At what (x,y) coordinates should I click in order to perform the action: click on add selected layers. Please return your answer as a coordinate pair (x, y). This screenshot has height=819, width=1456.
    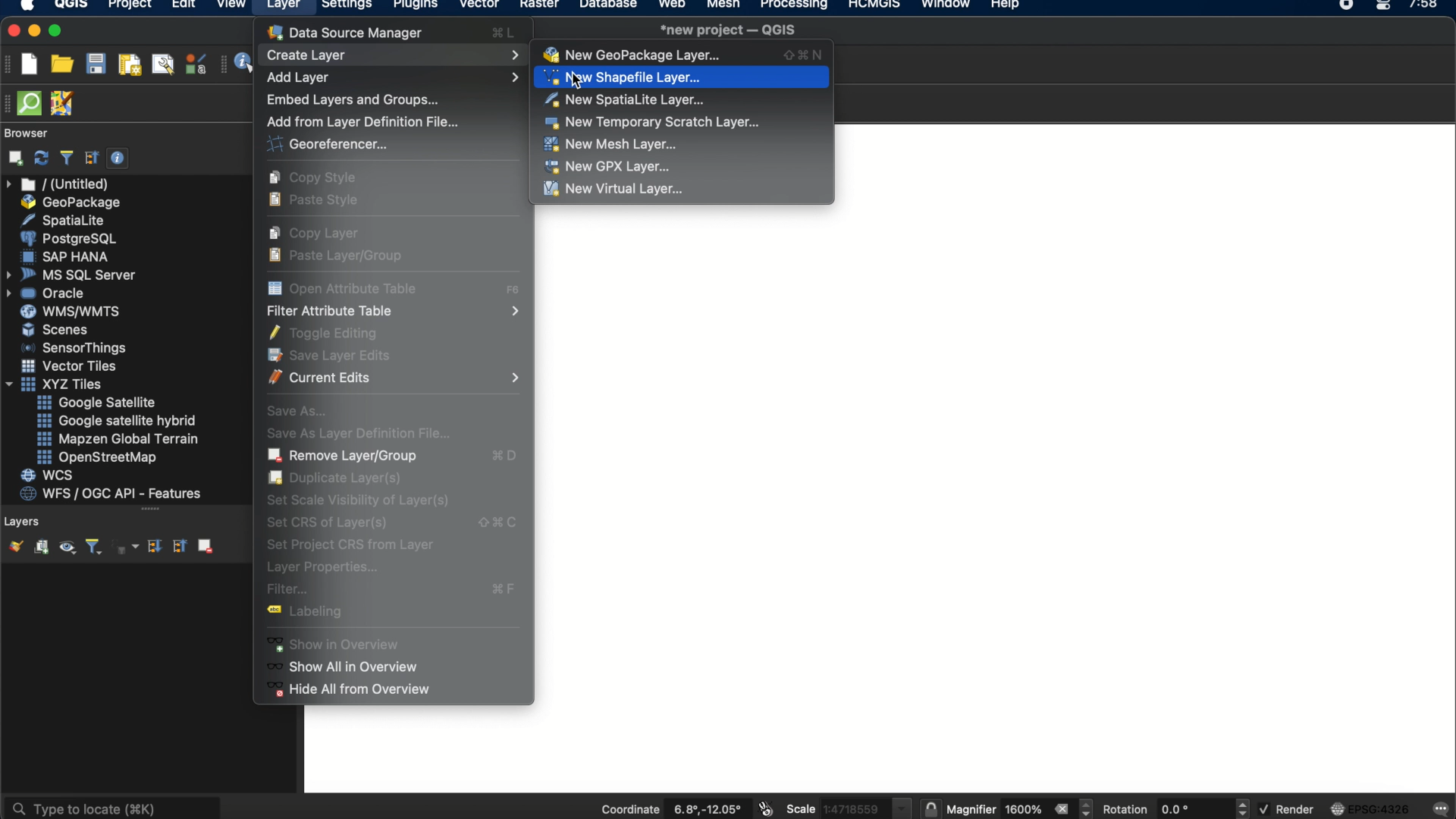
    Looking at the image, I should click on (13, 158).